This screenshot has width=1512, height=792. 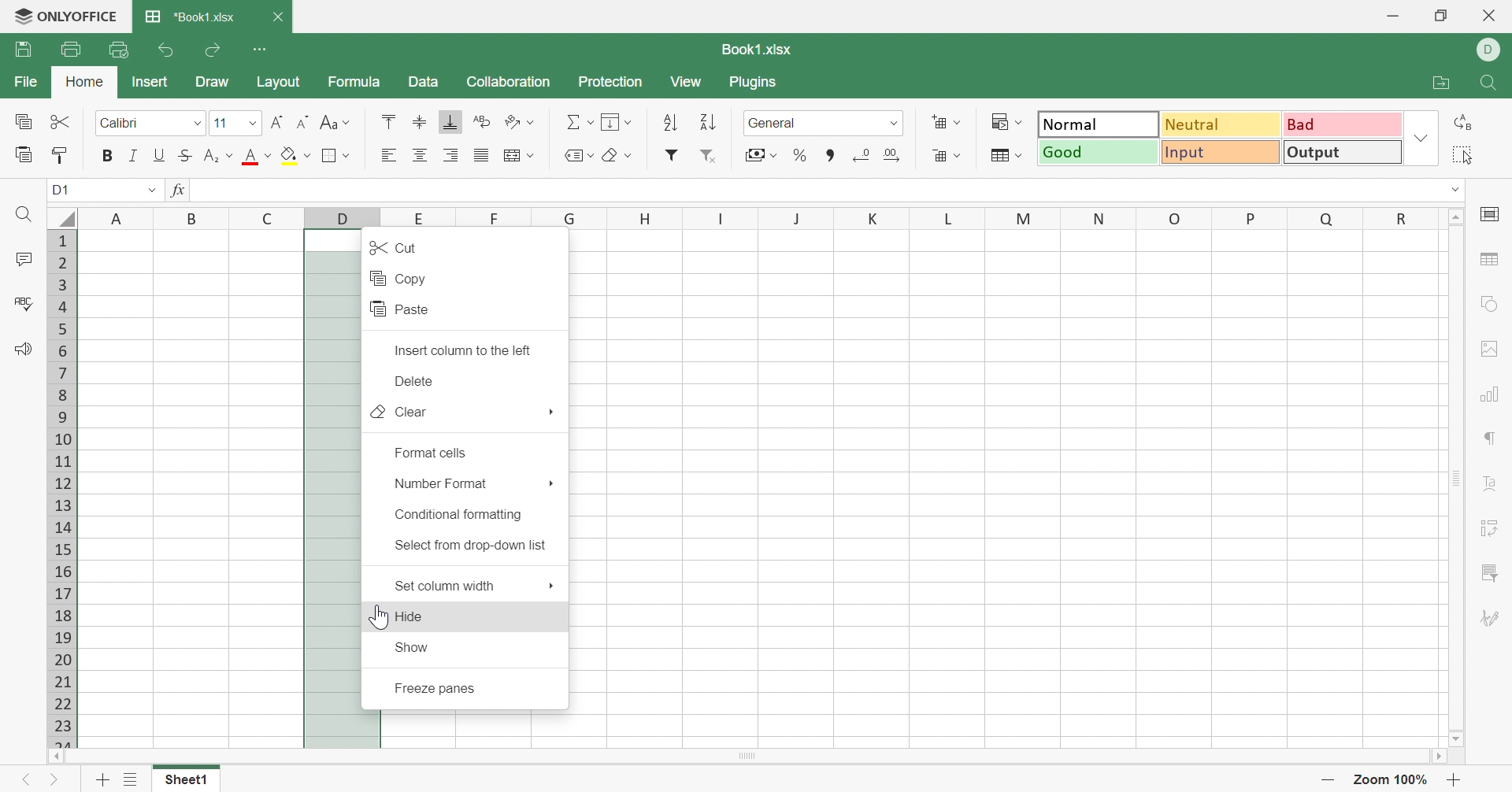 I want to click on Scroll Down, so click(x=1458, y=738).